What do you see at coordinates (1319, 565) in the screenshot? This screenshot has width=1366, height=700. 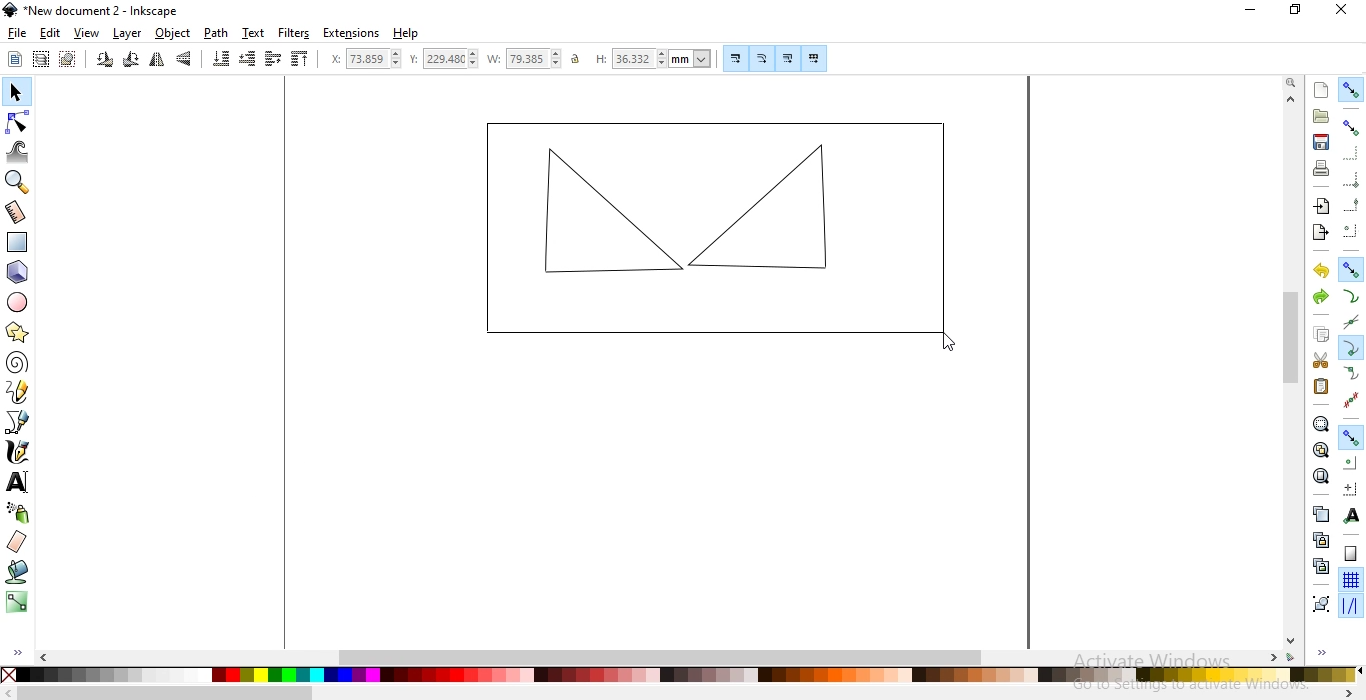 I see `cut the selected clone` at bounding box center [1319, 565].